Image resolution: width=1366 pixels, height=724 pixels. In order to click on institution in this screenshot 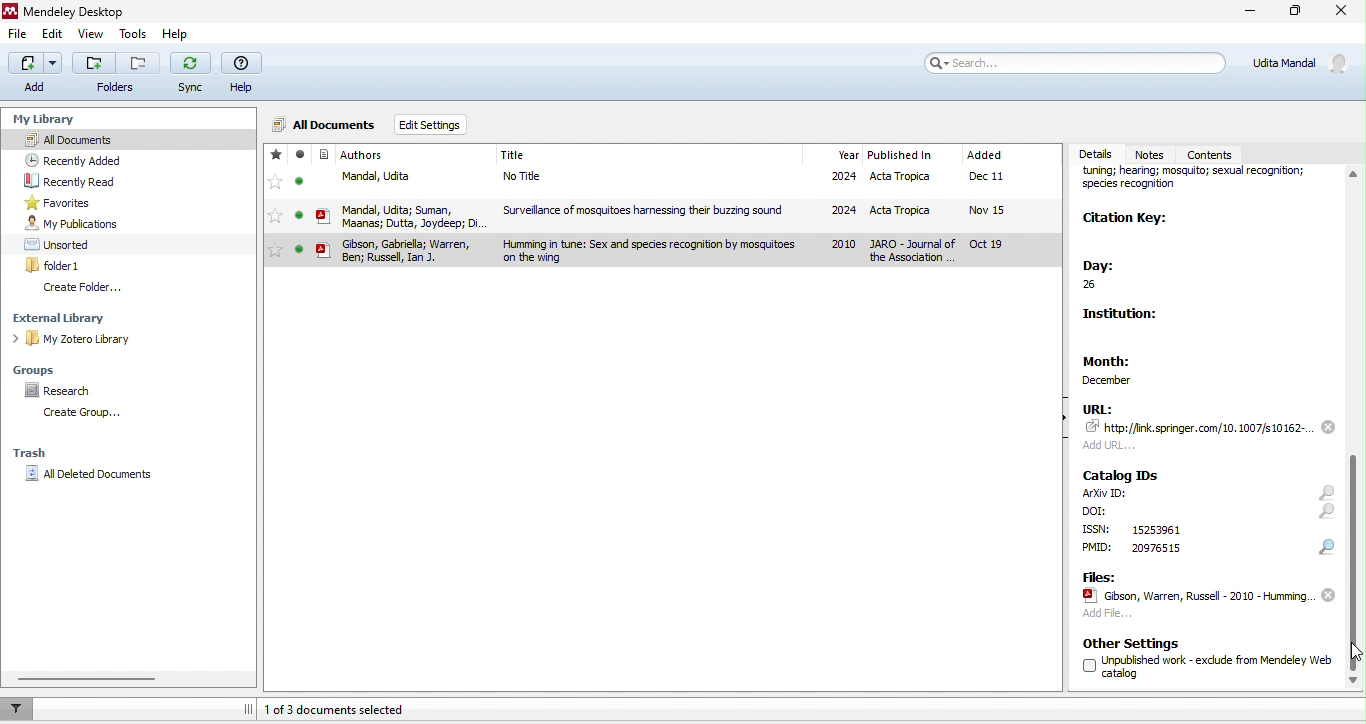, I will do `click(1127, 318)`.